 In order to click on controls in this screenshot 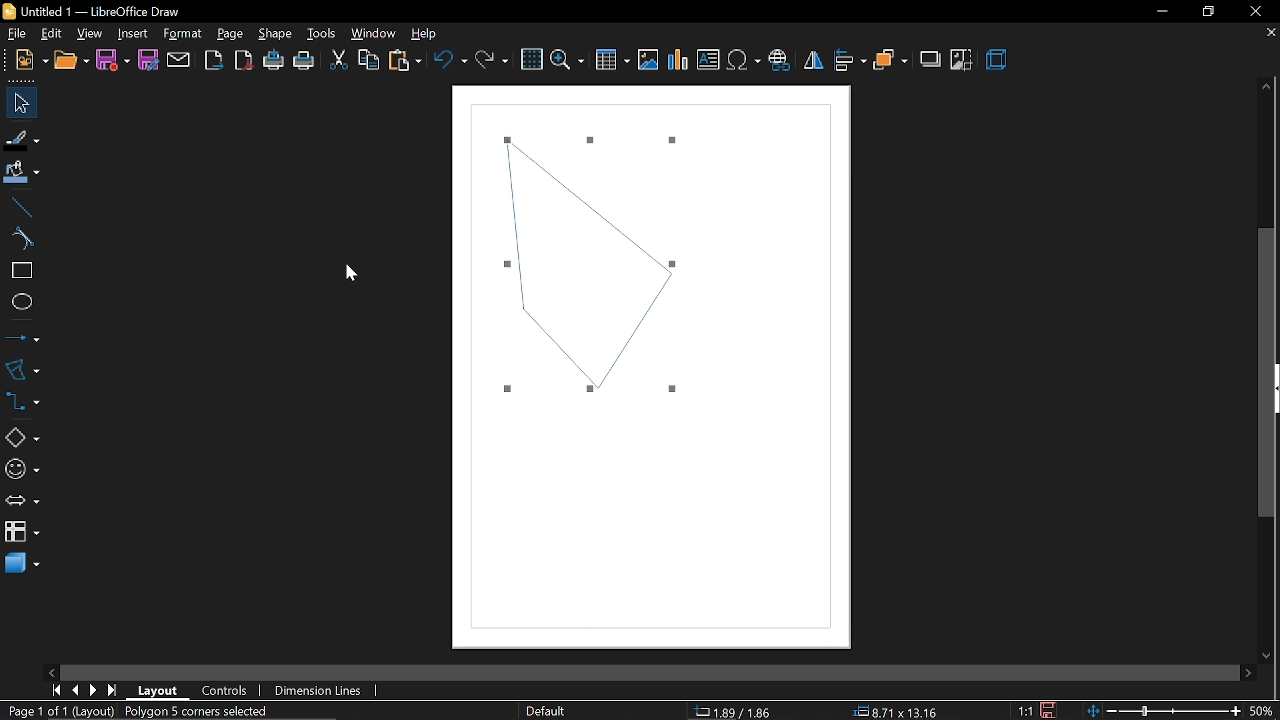, I will do `click(228, 689)`.